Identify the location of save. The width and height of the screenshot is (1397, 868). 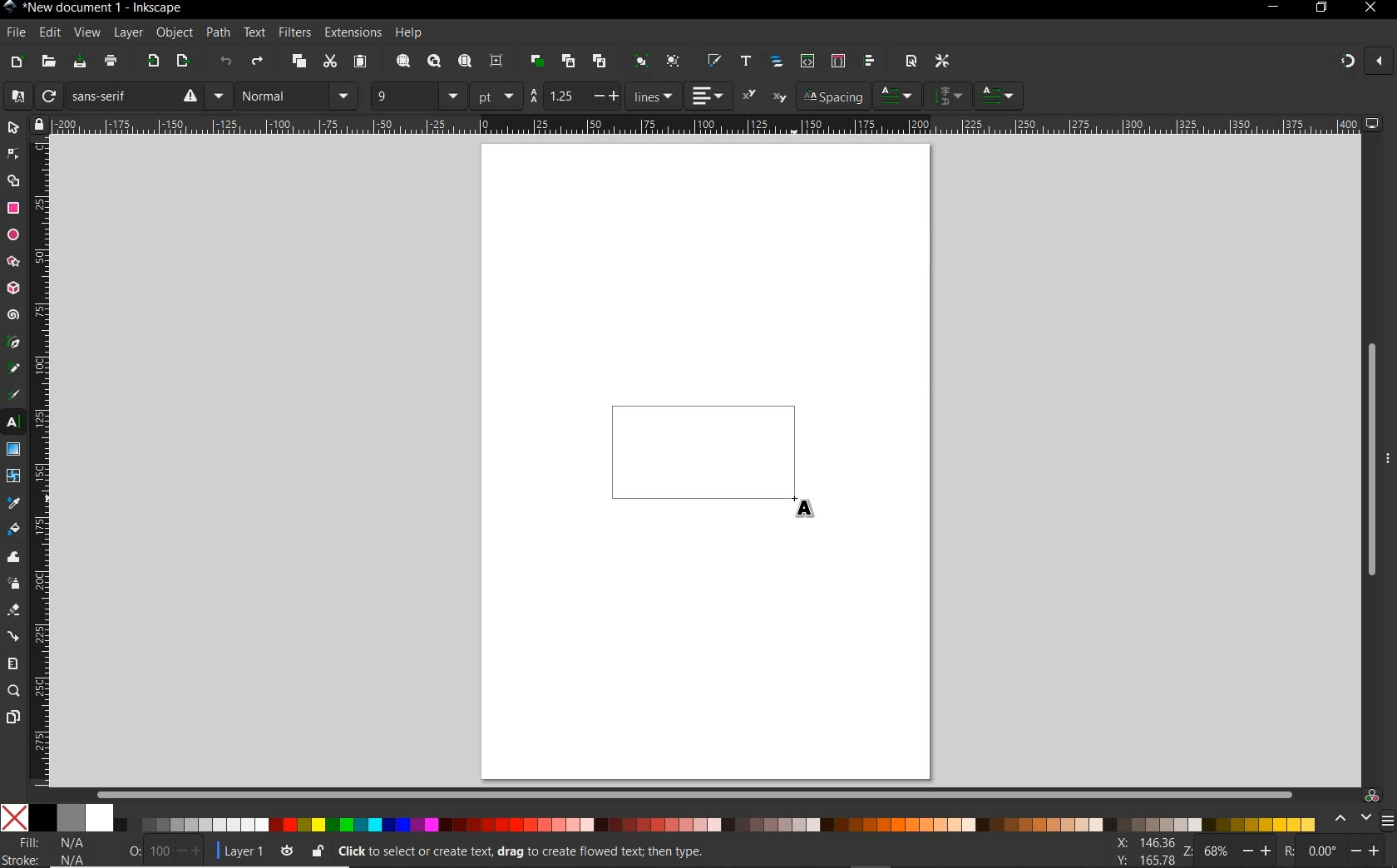
(80, 62).